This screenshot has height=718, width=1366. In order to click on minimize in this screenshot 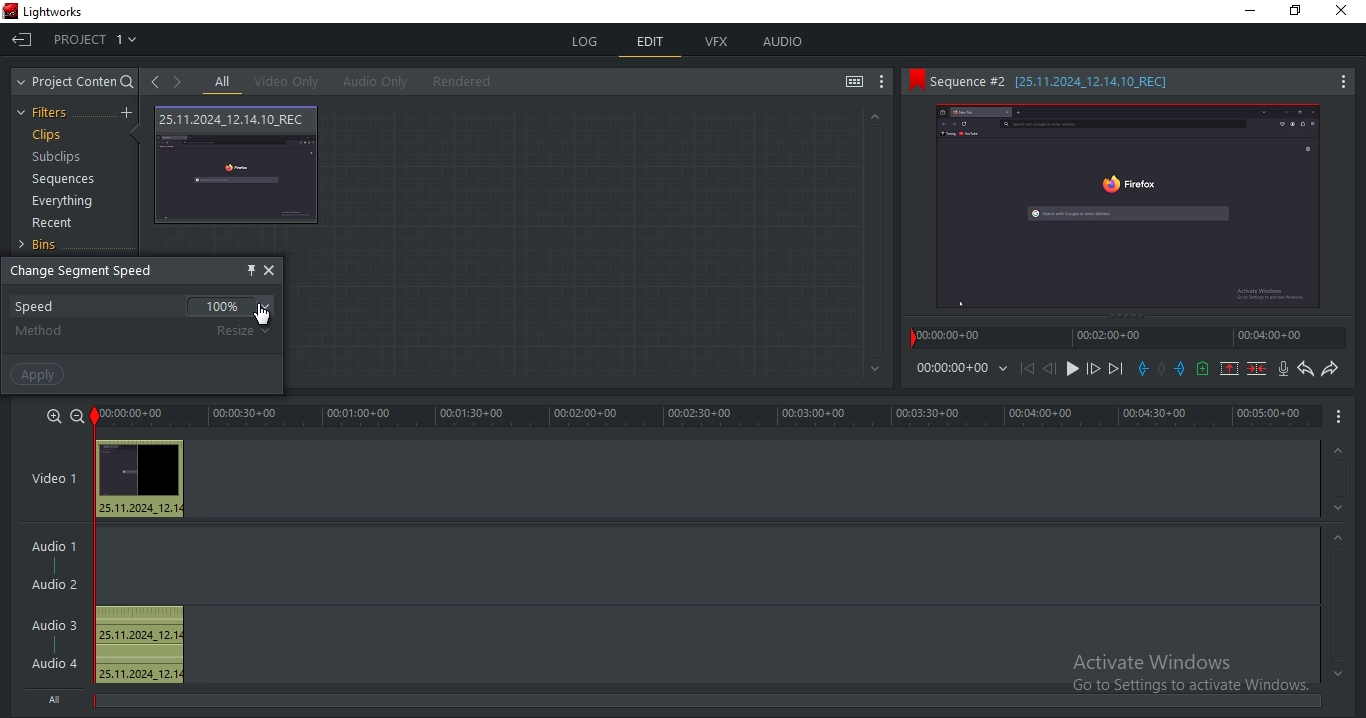, I will do `click(1253, 14)`.